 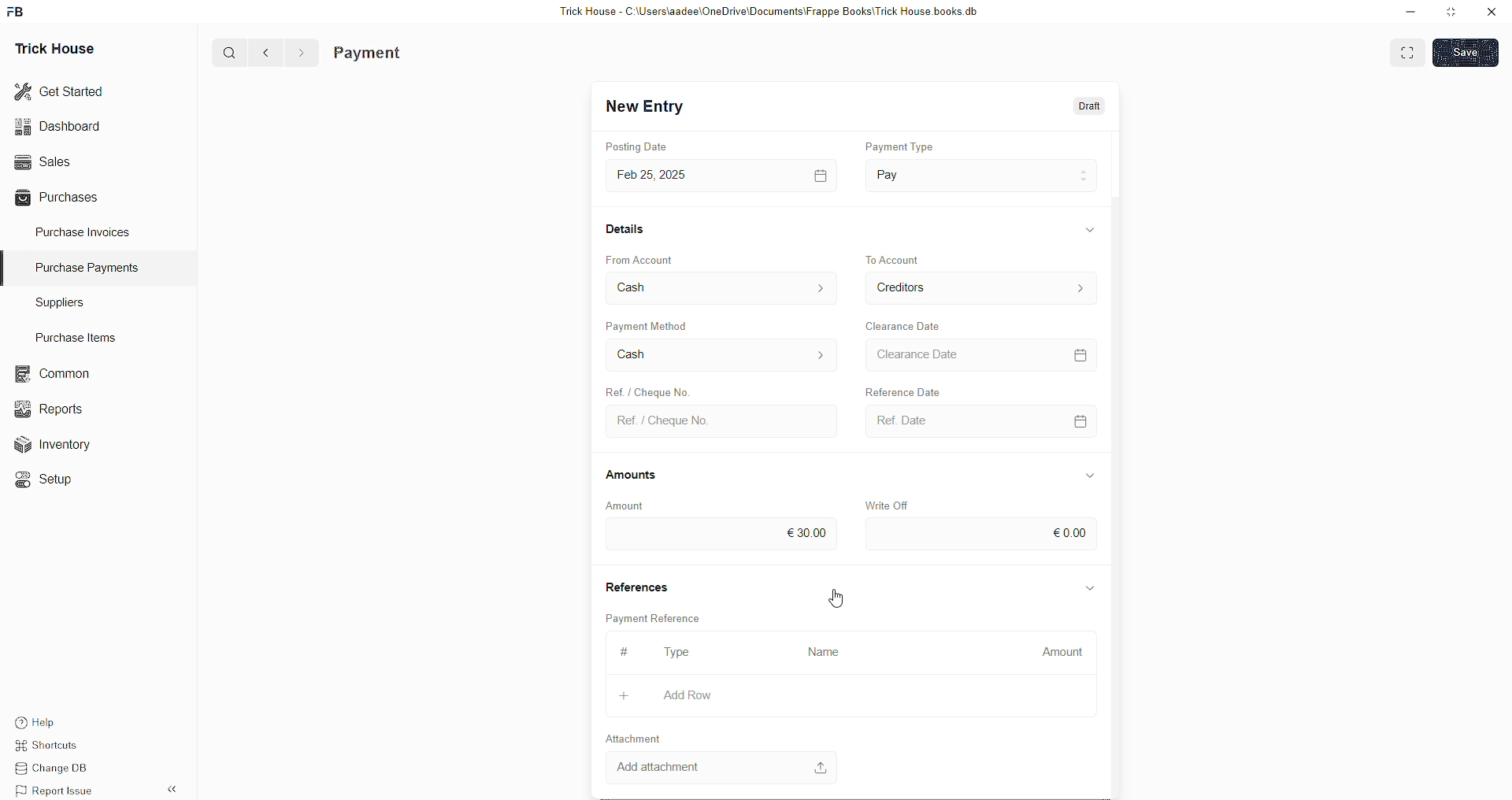 What do you see at coordinates (651, 259) in the screenshot?
I see `From Account` at bounding box center [651, 259].